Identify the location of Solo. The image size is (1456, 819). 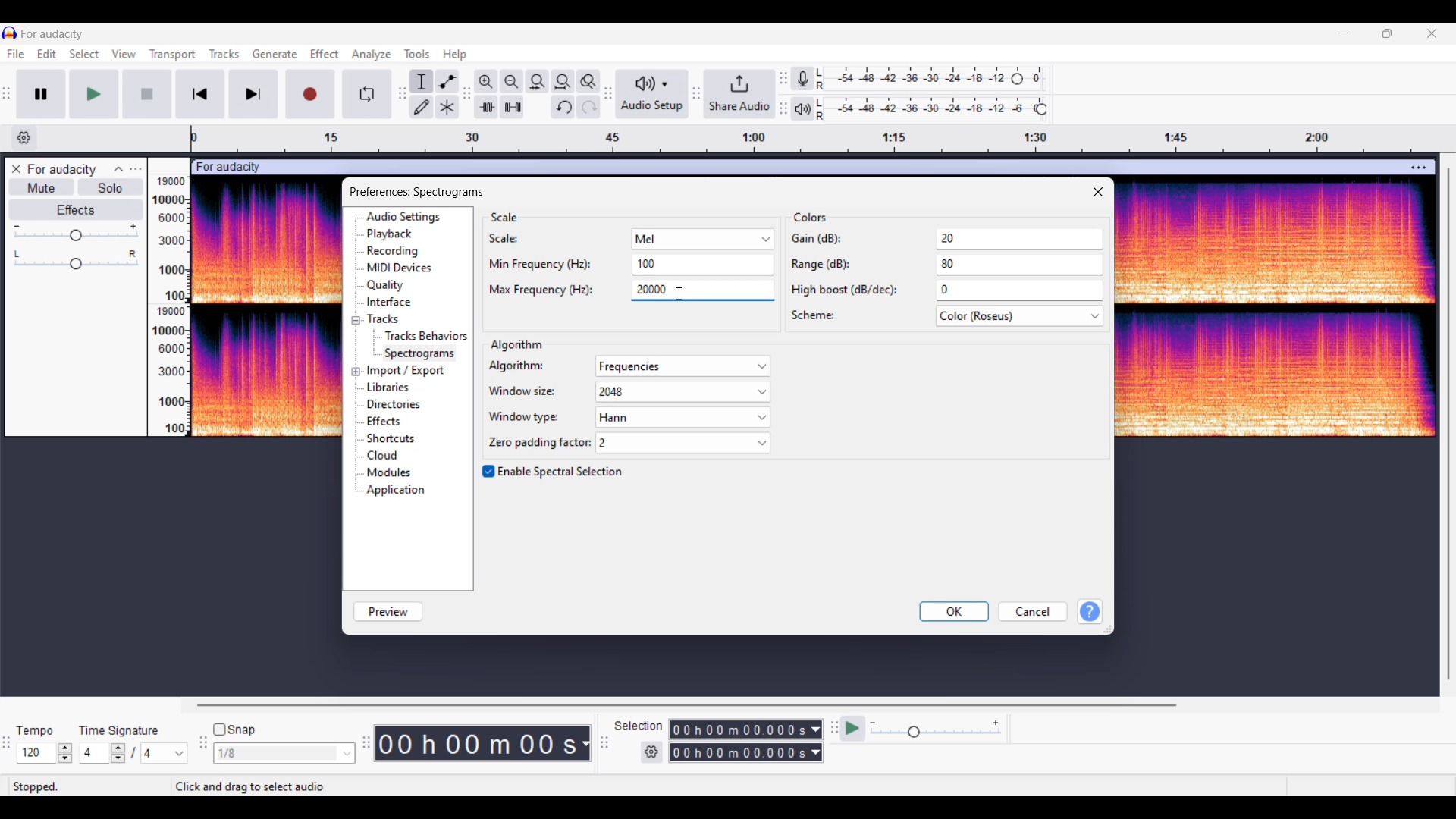
(111, 187).